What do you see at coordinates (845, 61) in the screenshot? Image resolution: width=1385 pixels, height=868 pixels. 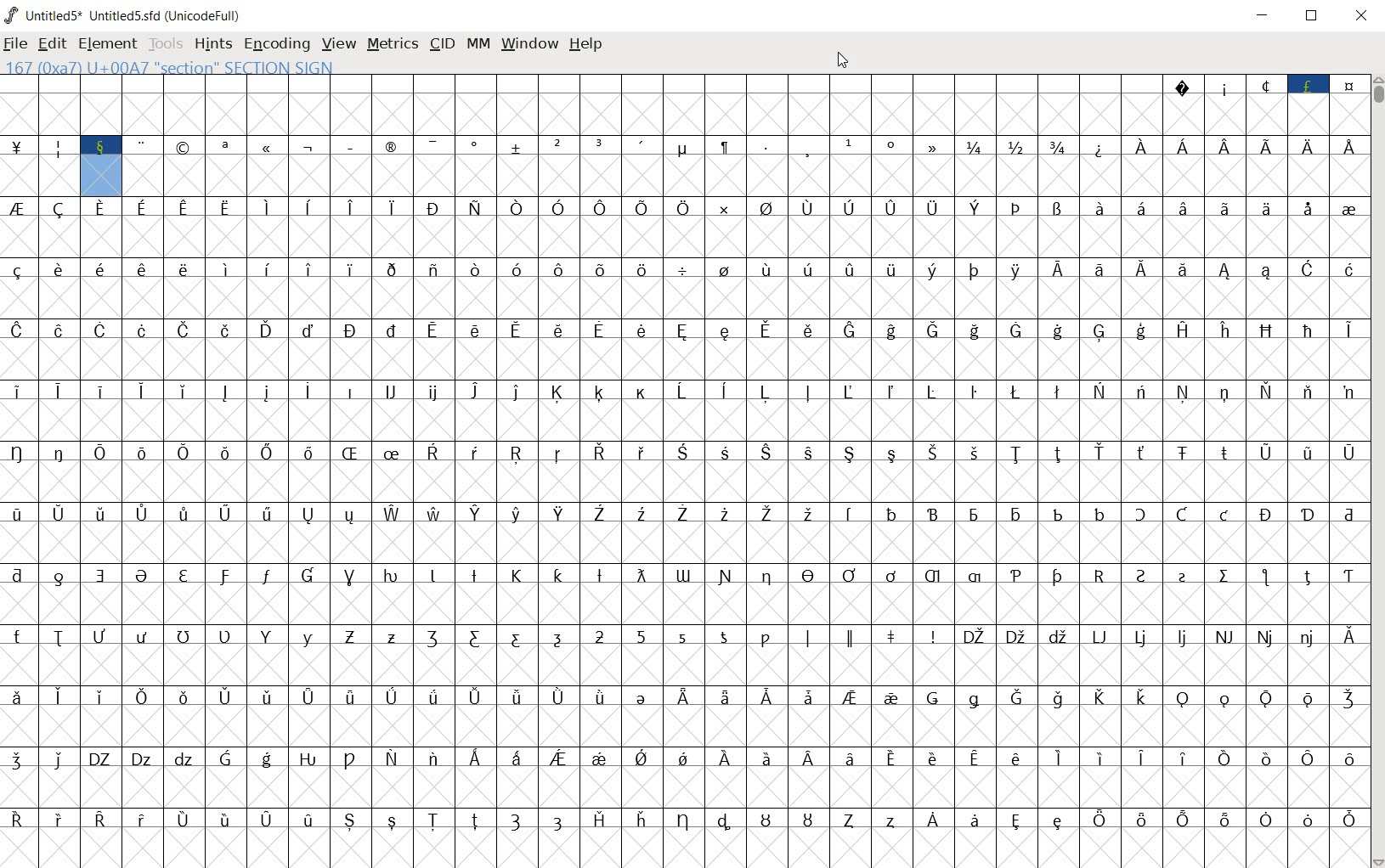 I see `cursor` at bounding box center [845, 61].